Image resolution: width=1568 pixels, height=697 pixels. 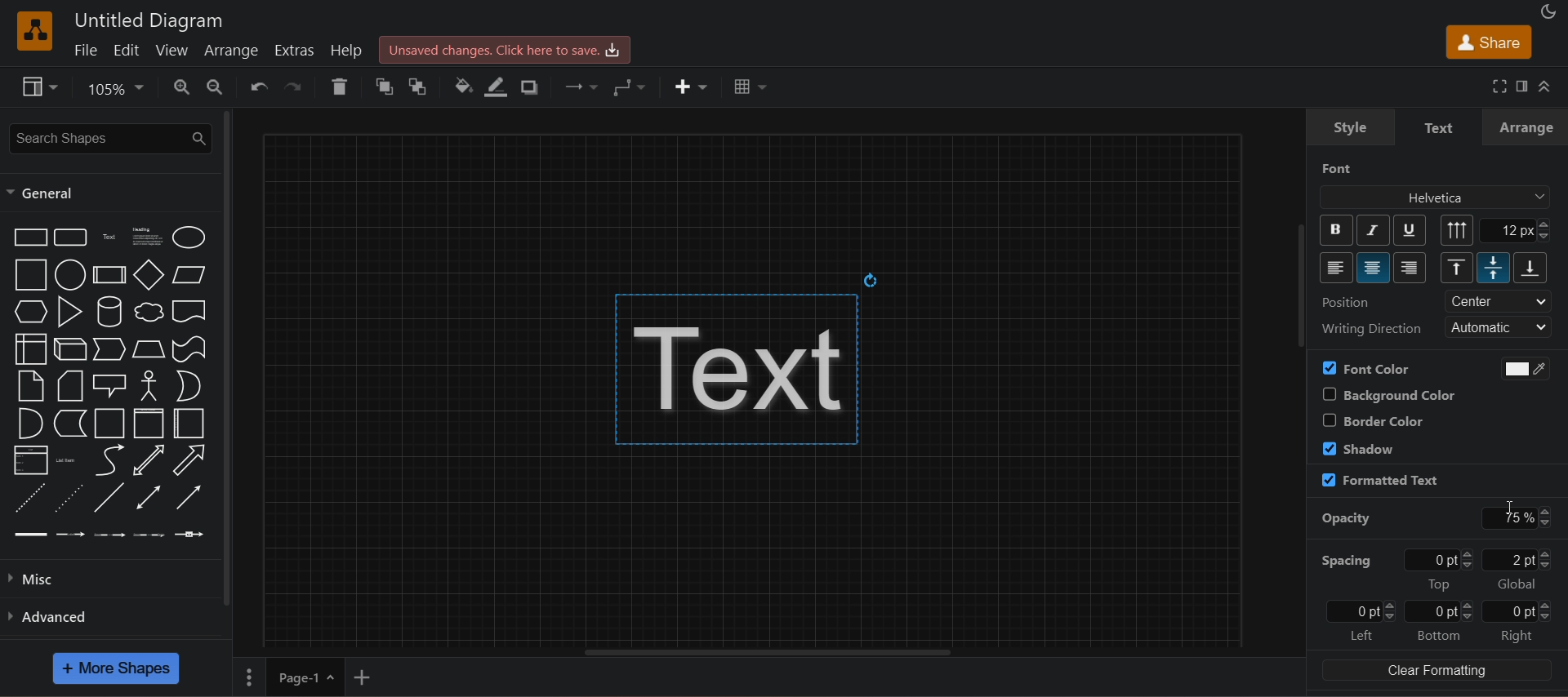 What do you see at coordinates (110, 349) in the screenshot?
I see `step` at bounding box center [110, 349].